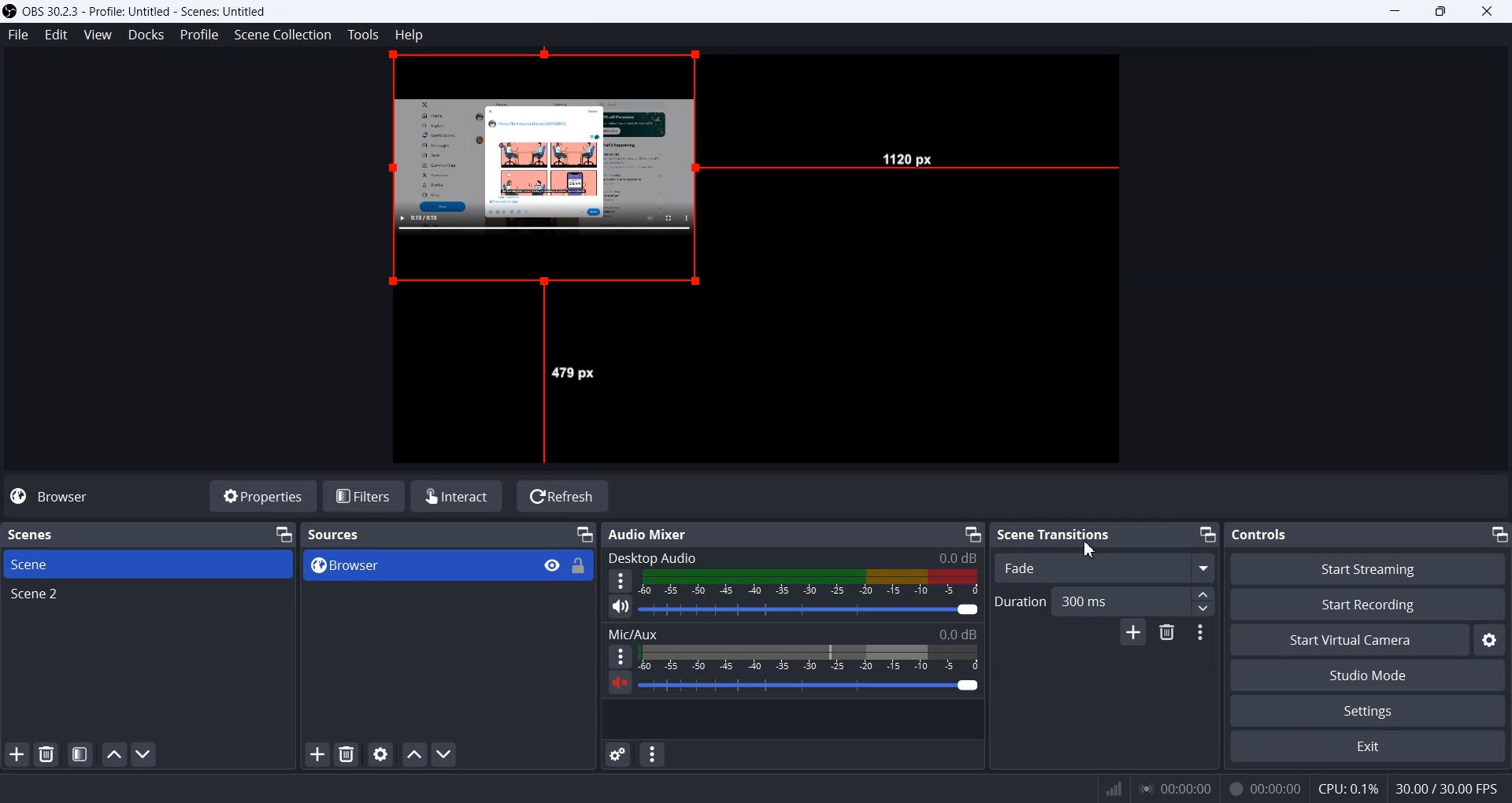 This screenshot has width=1512, height=803. What do you see at coordinates (1303, 535) in the screenshot?
I see `Controls` at bounding box center [1303, 535].